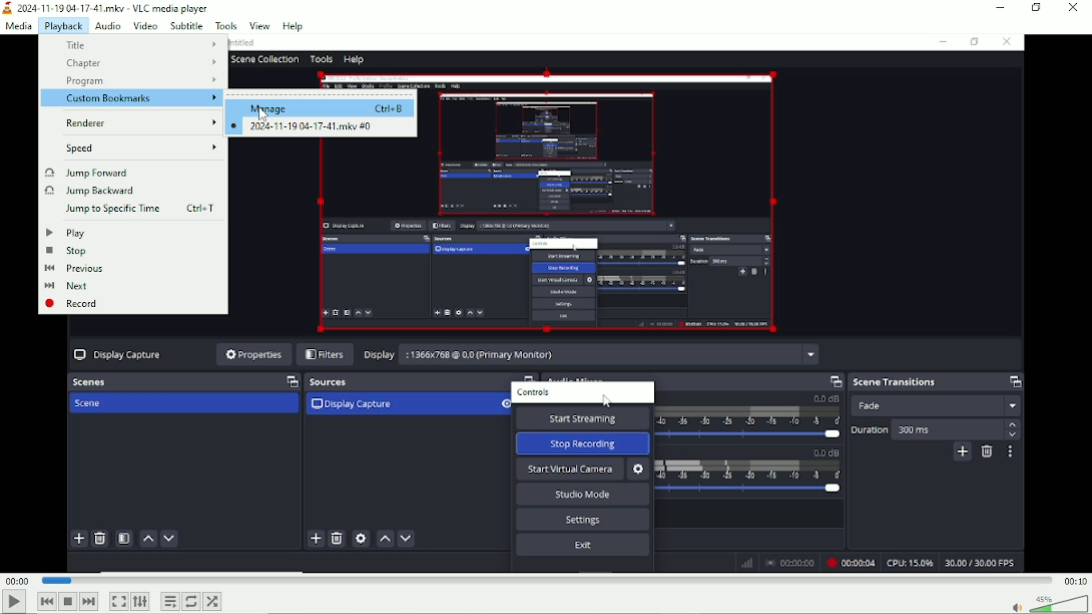 The width and height of the screenshot is (1092, 614). I want to click on 2024-11-19 04-17-41.mkv #0, so click(302, 127).